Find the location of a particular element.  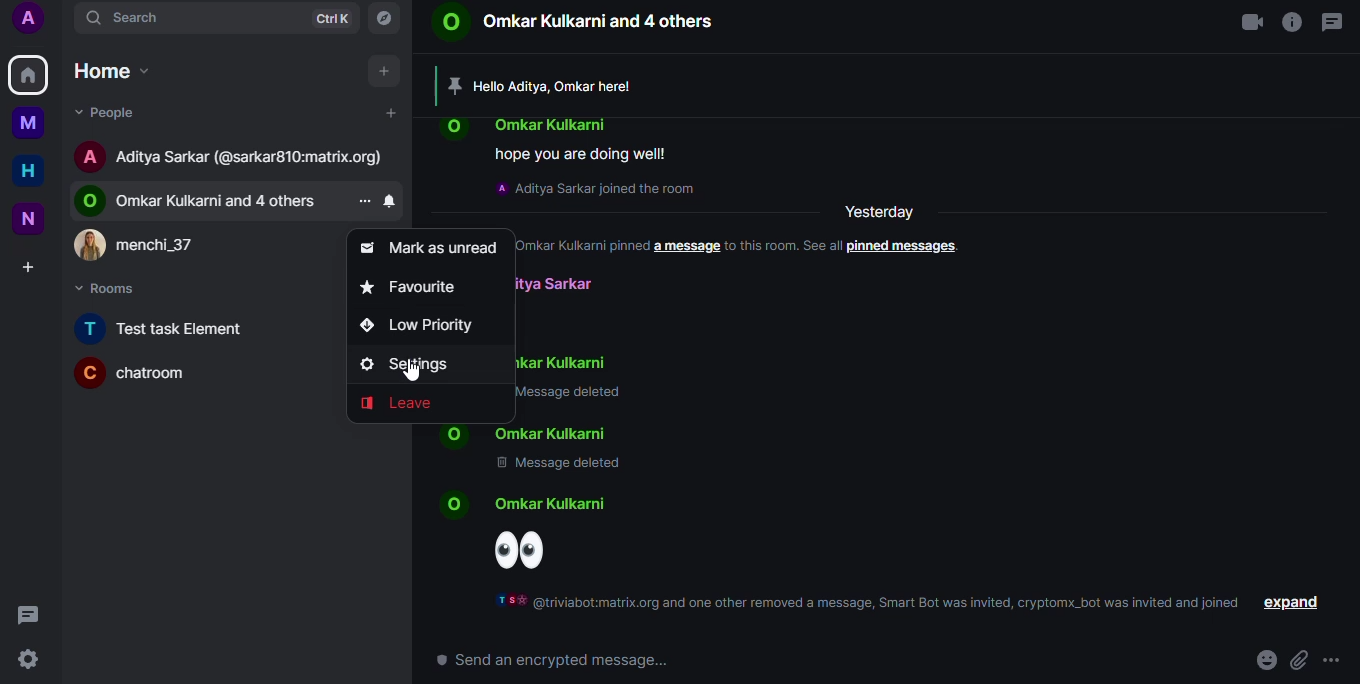

‘expand is located at coordinates (1293, 602).